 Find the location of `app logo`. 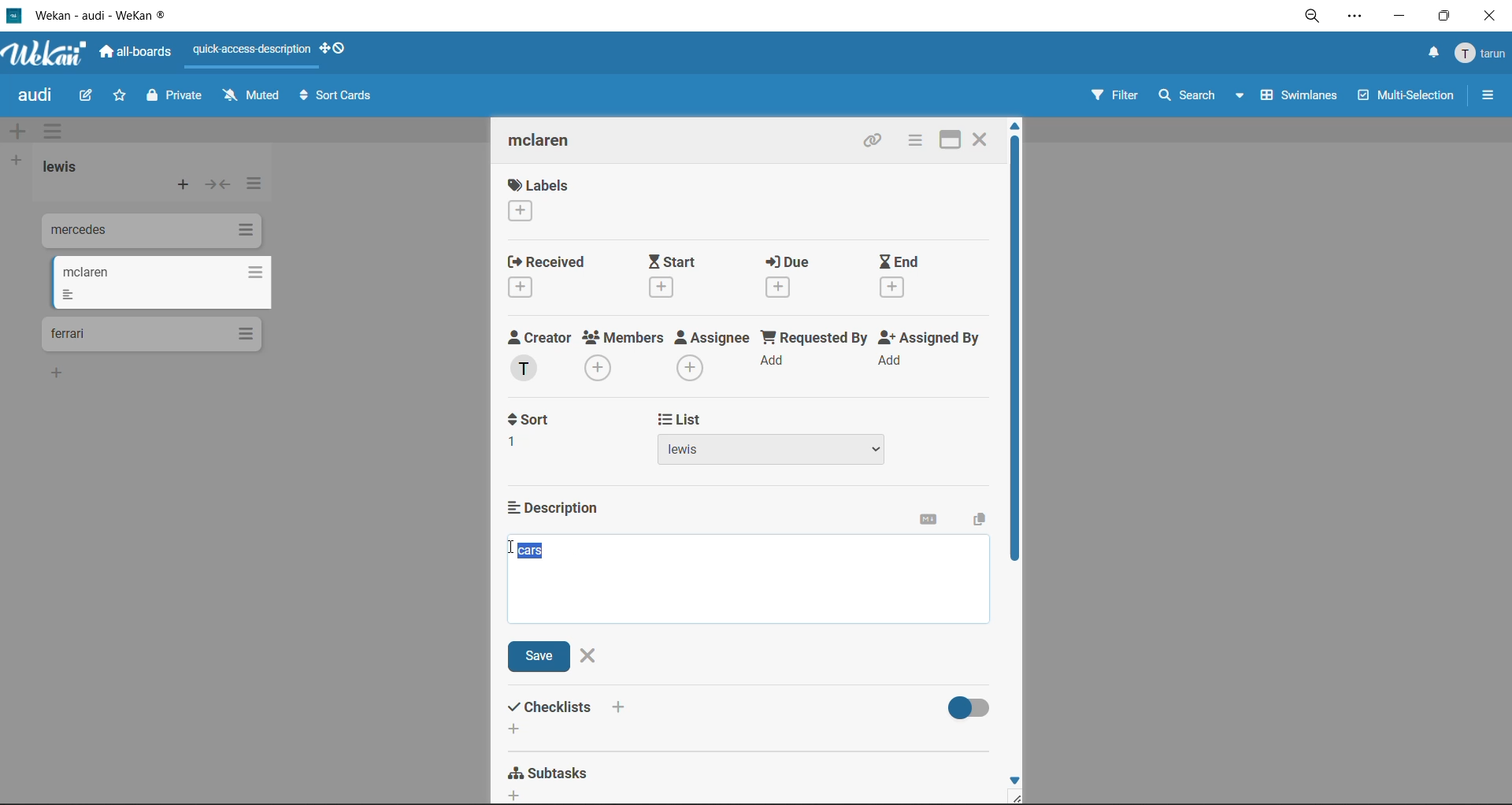

app logo is located at coordinates (47, 55).